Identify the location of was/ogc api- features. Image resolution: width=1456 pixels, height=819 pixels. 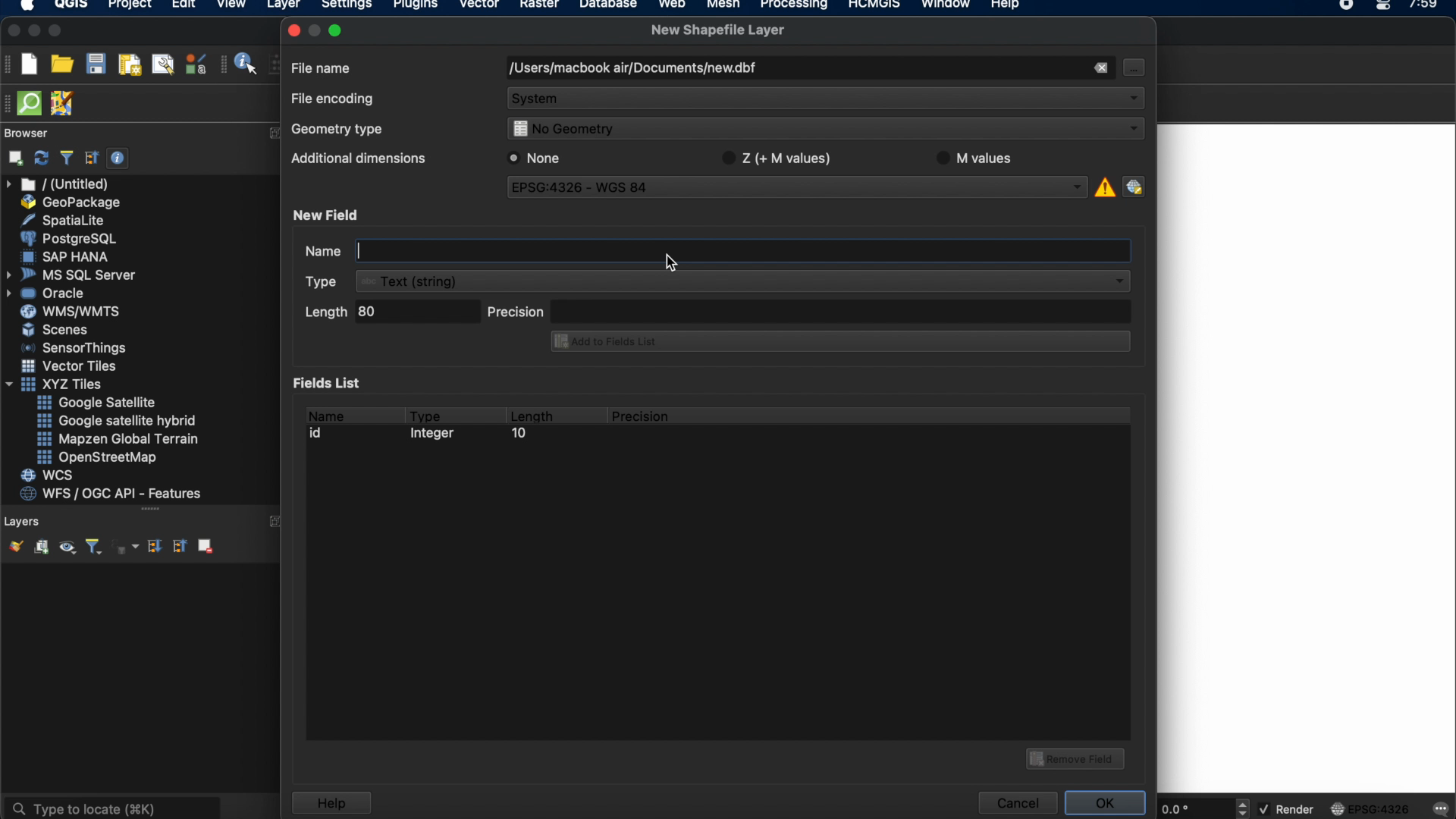
(111, 494).